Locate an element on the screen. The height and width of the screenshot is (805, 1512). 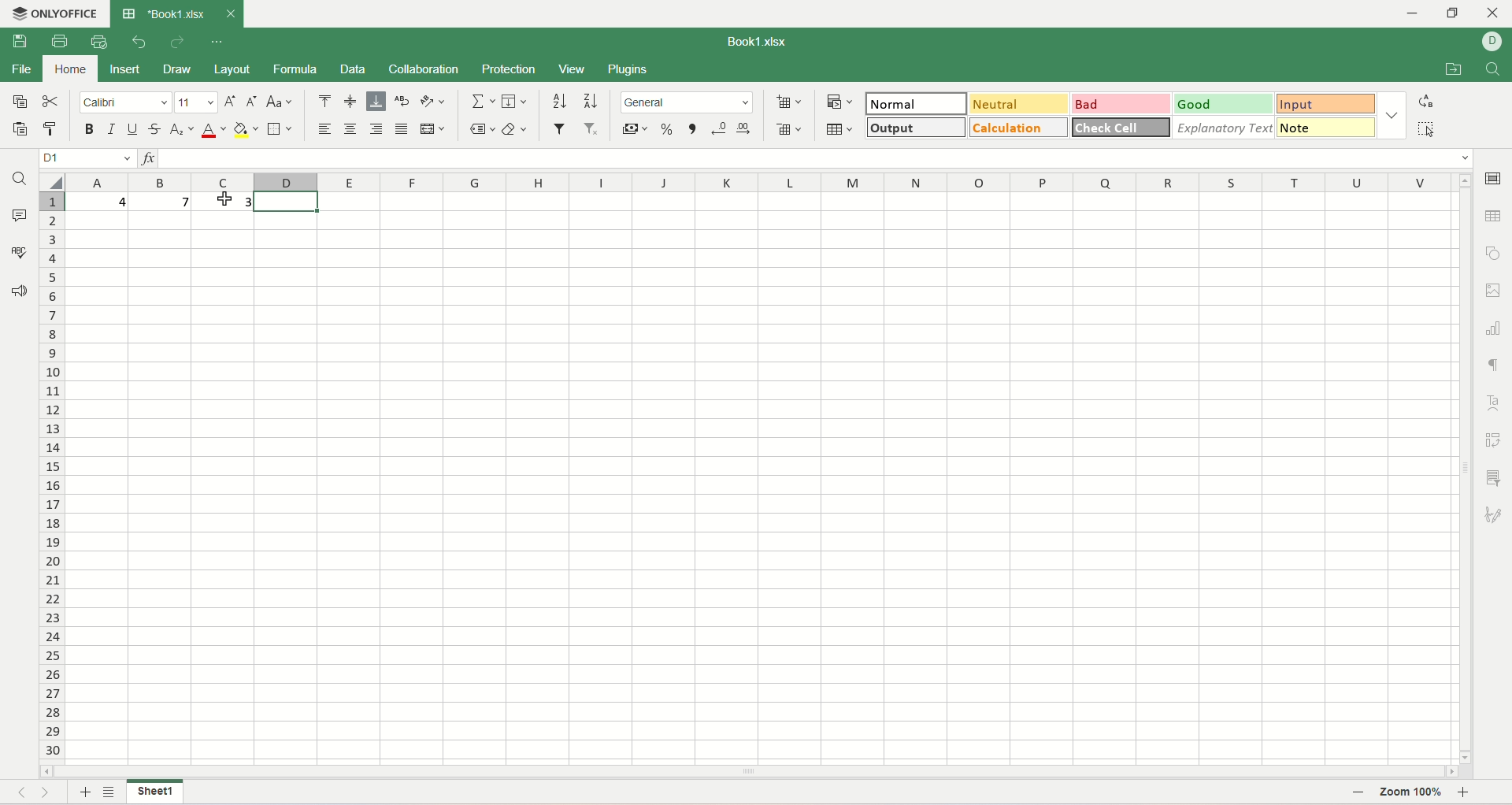
insert function is located at coordinates (146, 158).